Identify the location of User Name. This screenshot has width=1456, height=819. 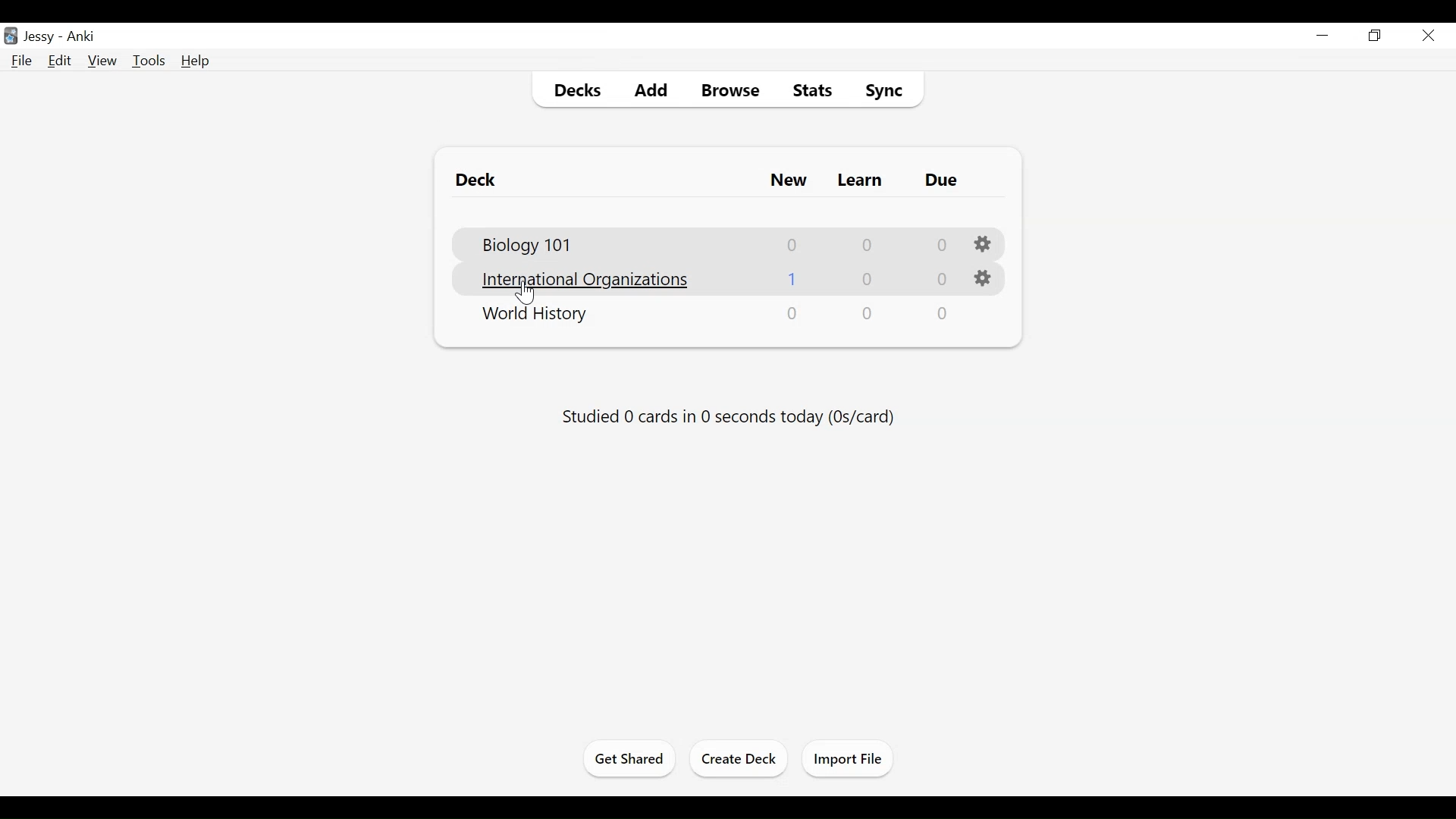
(39, 37).